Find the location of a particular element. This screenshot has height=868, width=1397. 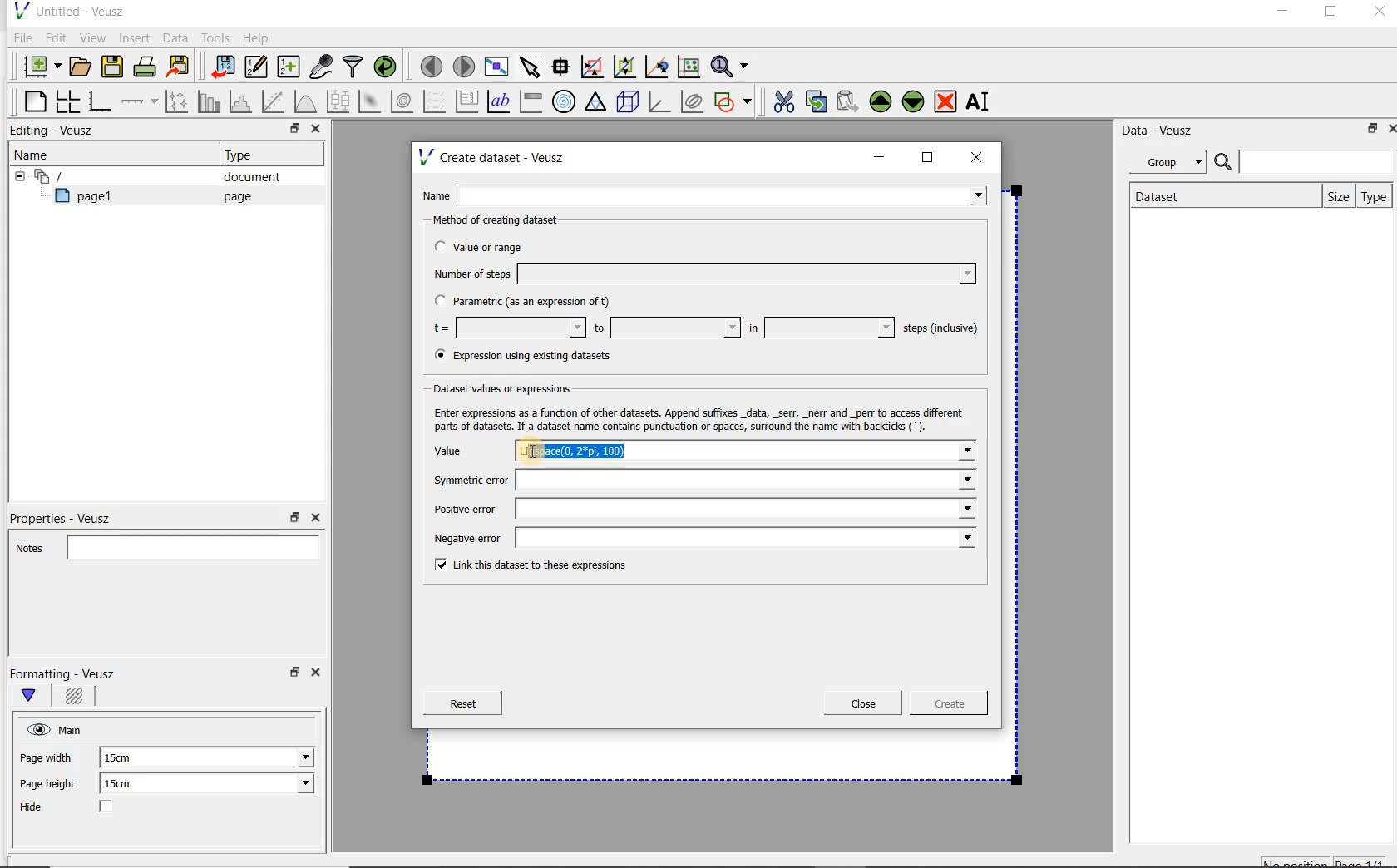

page1 is located at coordinates (91, 199).